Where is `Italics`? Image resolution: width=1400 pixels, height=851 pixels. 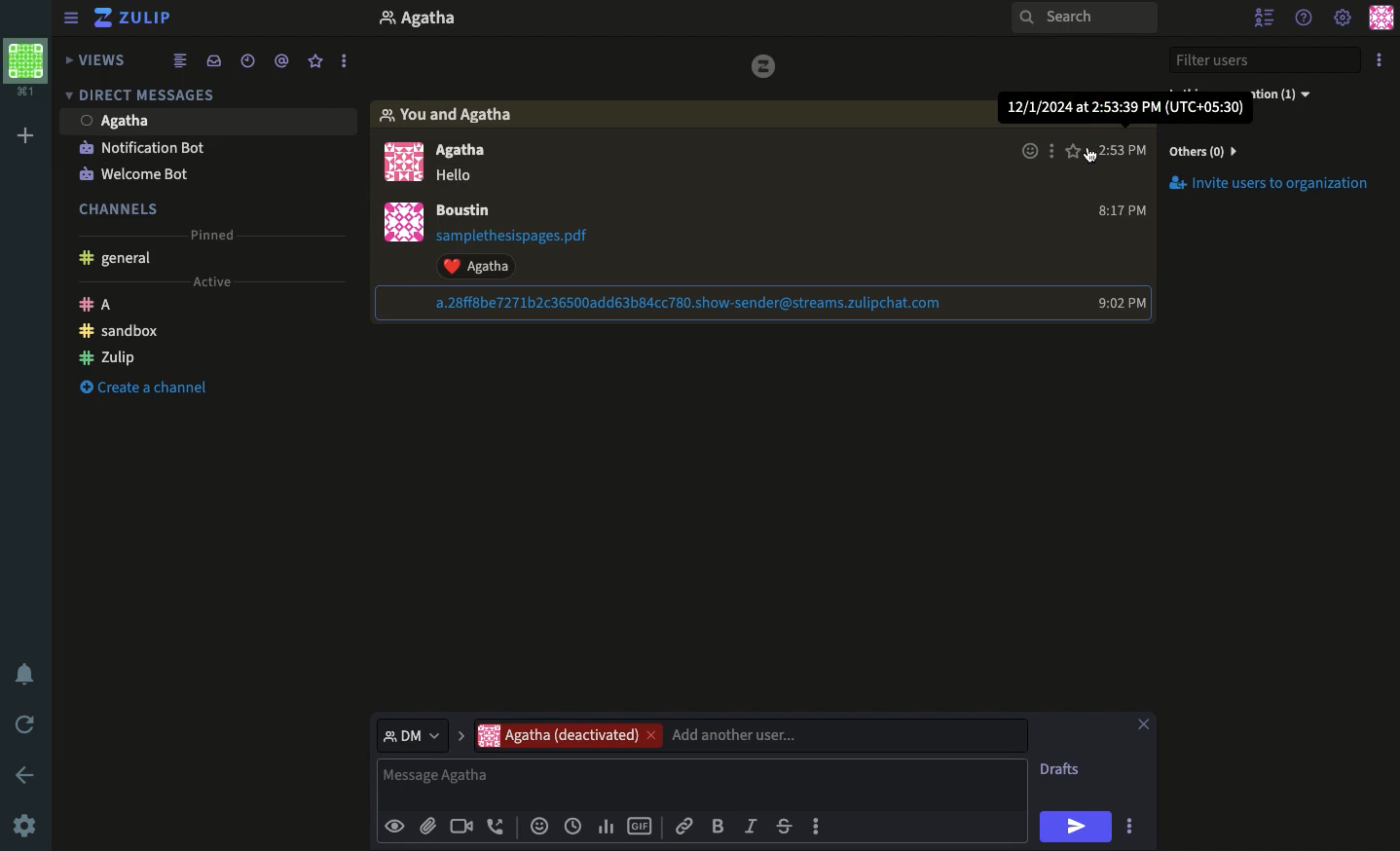 Italics is located at coordinates (753, 825).